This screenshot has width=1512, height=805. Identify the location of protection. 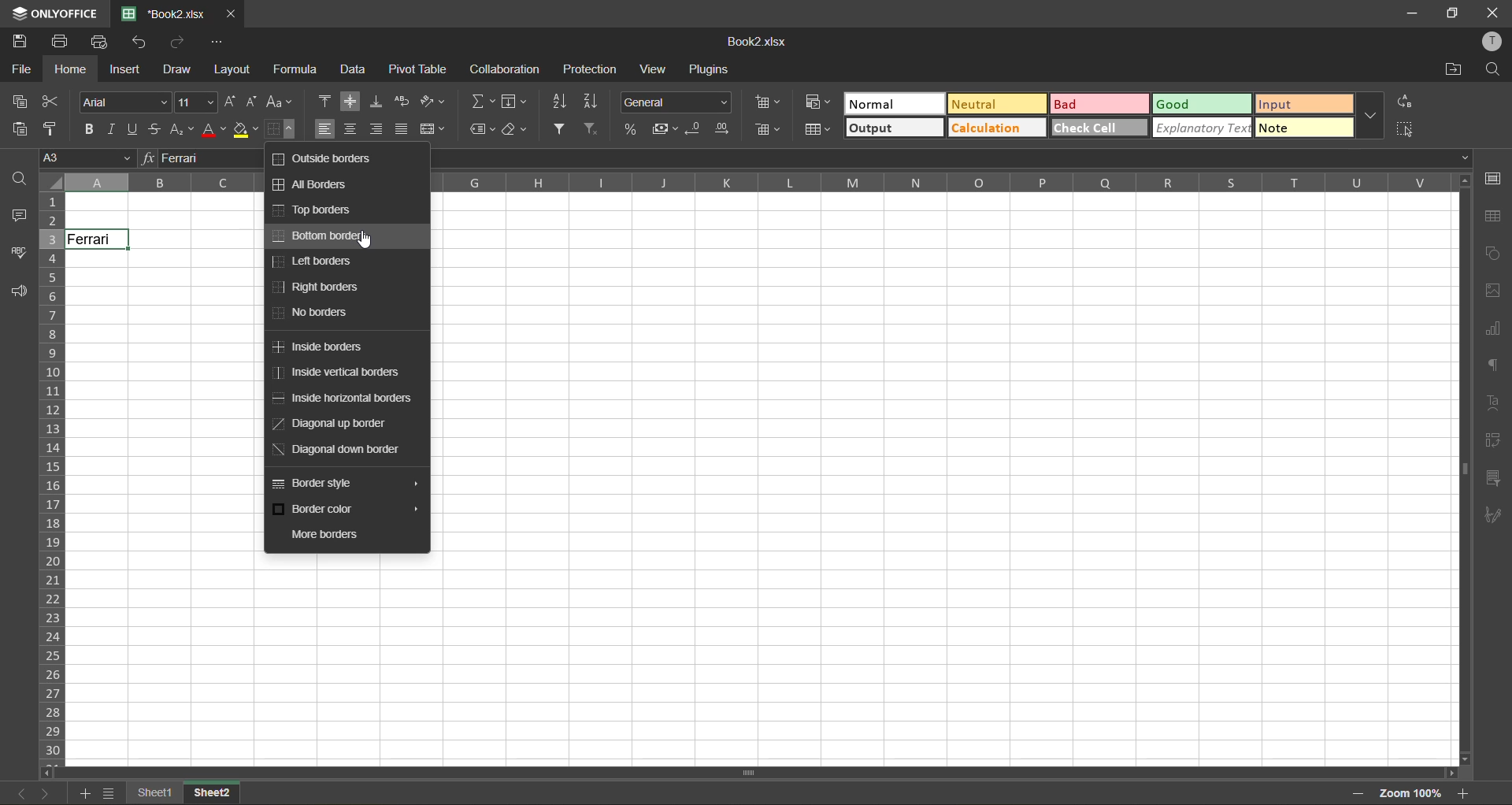
(591, 71).